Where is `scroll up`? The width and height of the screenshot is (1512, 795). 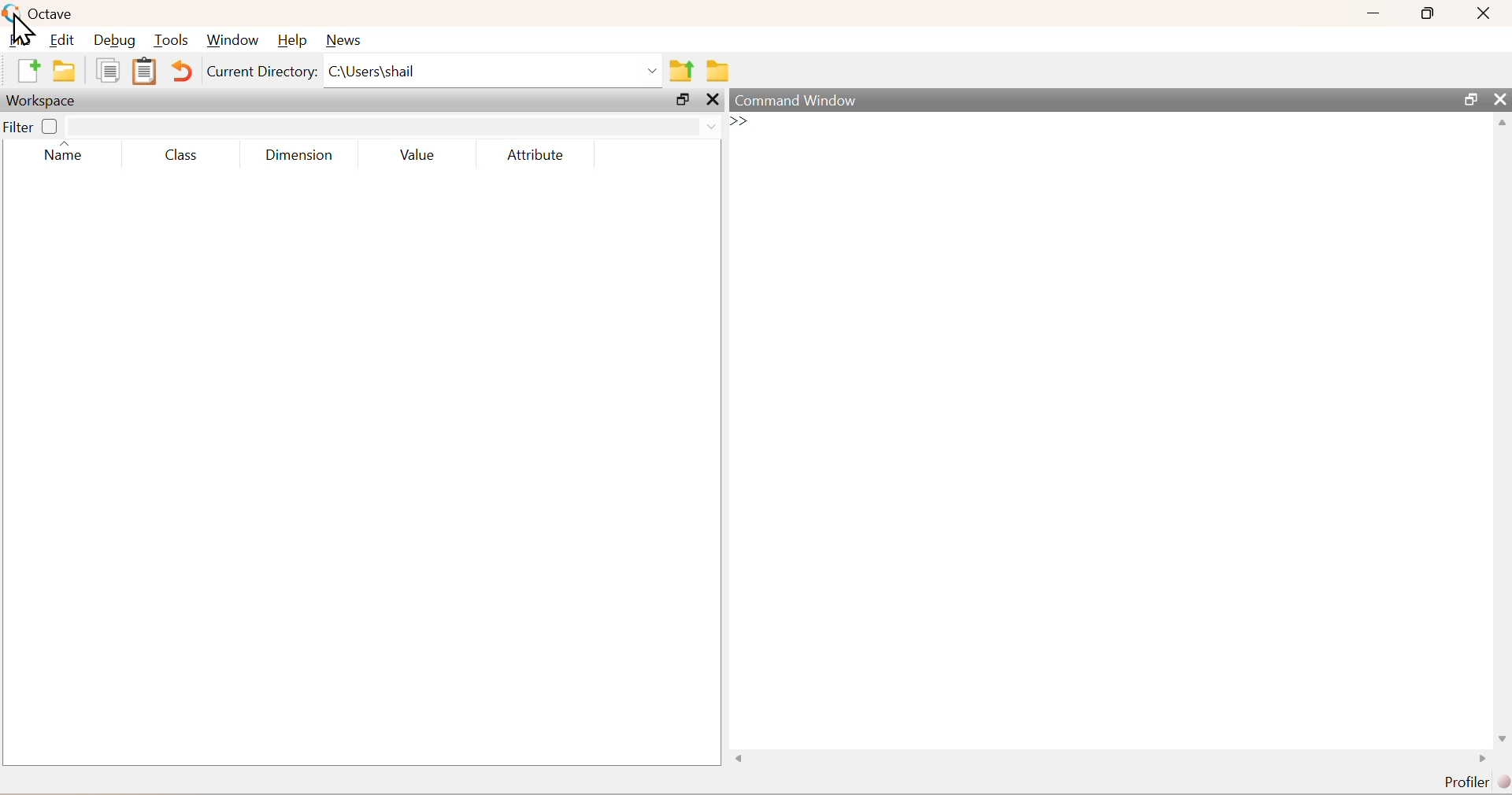 scroll up is located at coordinates (1502, 121).